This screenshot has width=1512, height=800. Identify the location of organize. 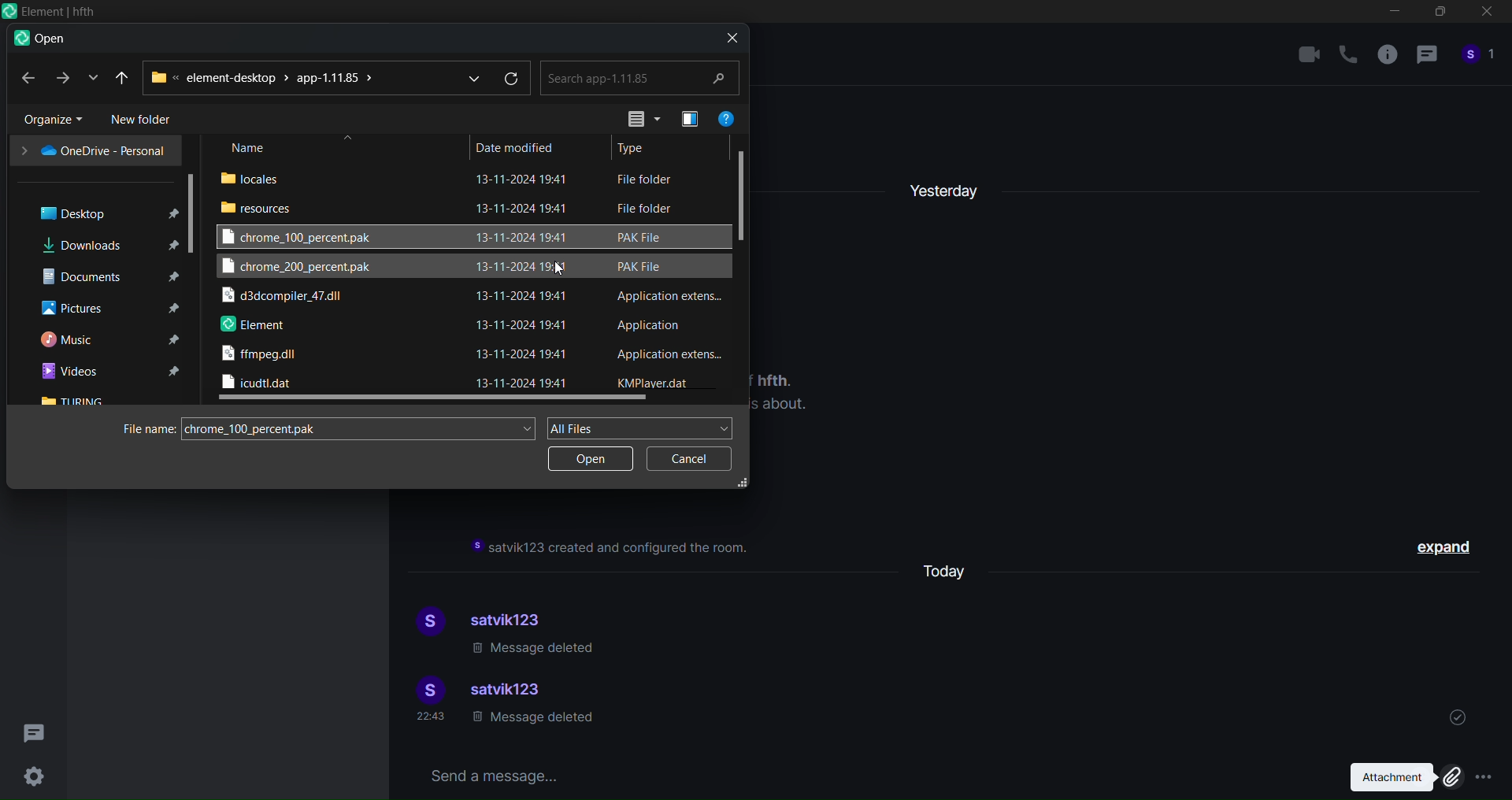
(46, 119).